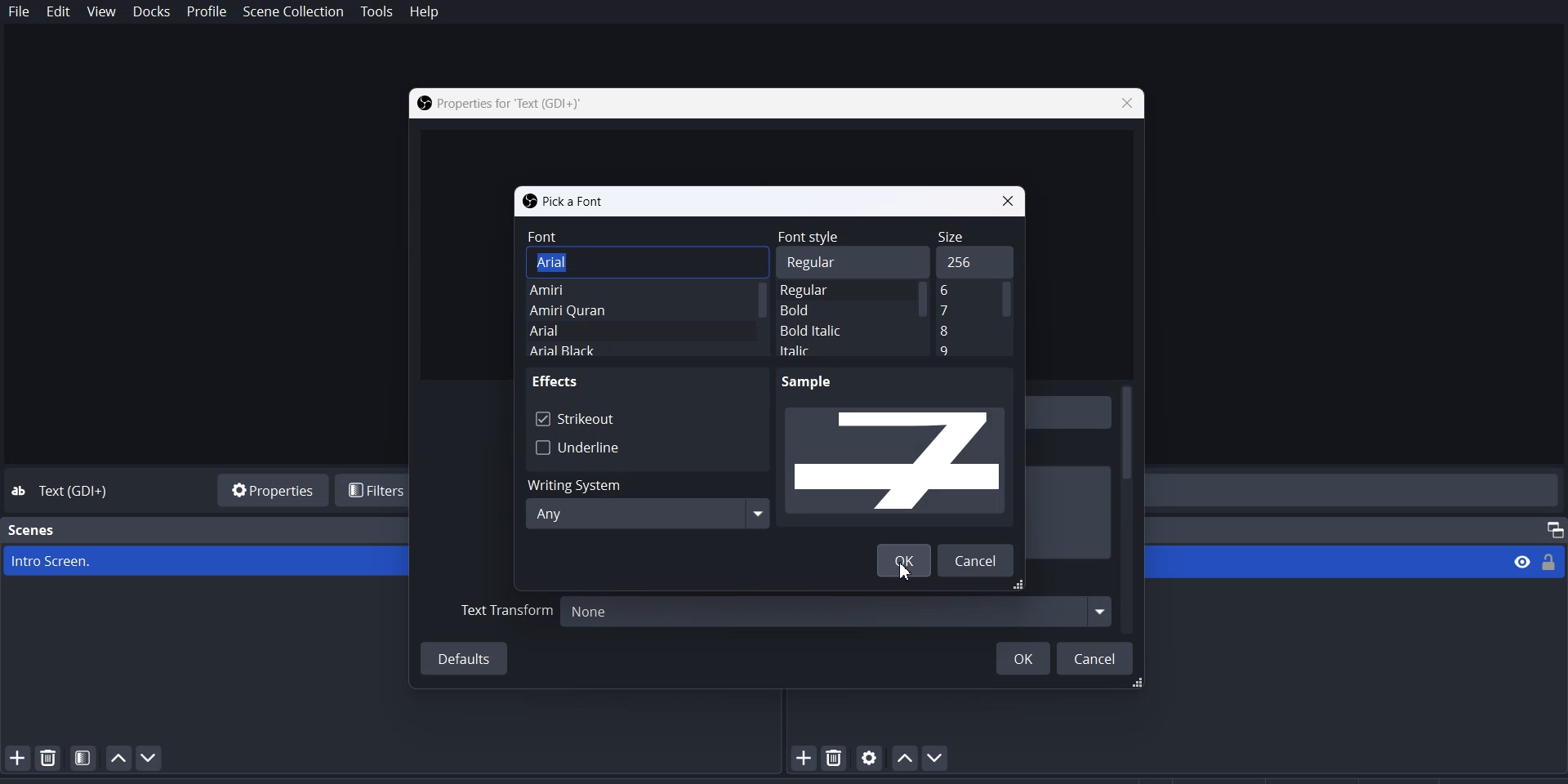 The height and width of the screenshot is (784, 1568). Describe the element at coordinates (980, 560) in the screenshot. I see `Cancel` at that location.